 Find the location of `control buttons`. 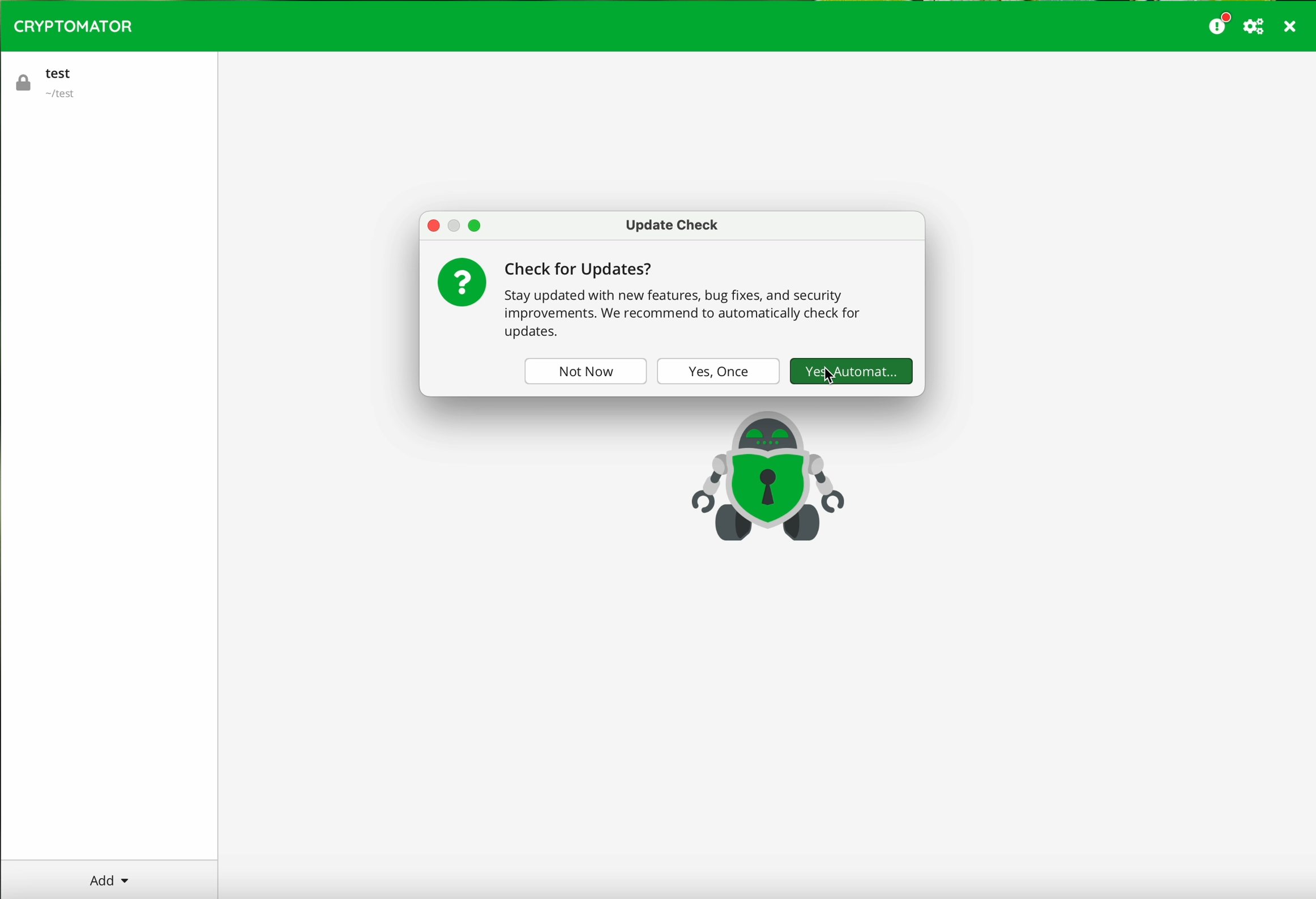

control buttons is located at coordinates (455, 225).